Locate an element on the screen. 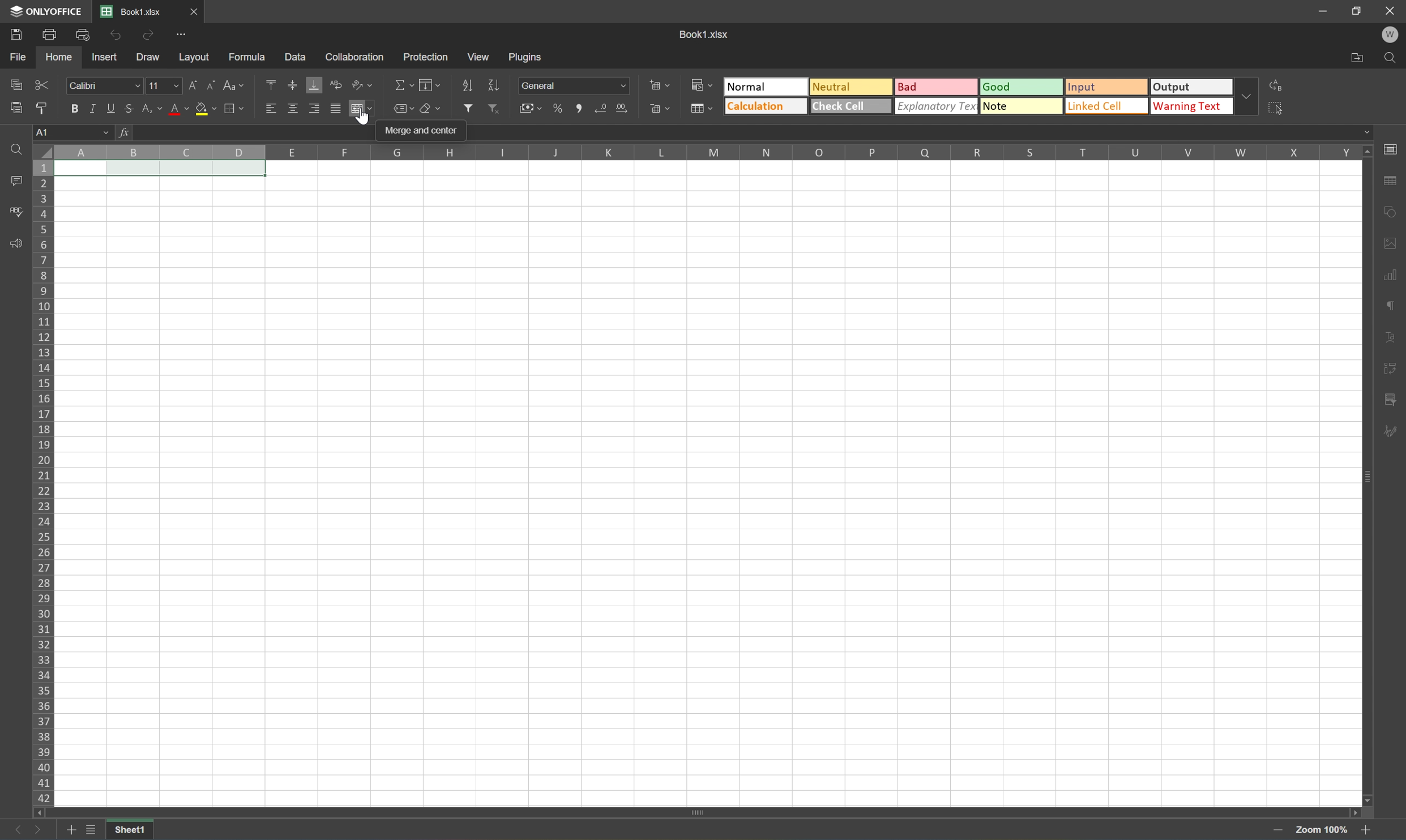  Undo is located at coordinates (117, 35).